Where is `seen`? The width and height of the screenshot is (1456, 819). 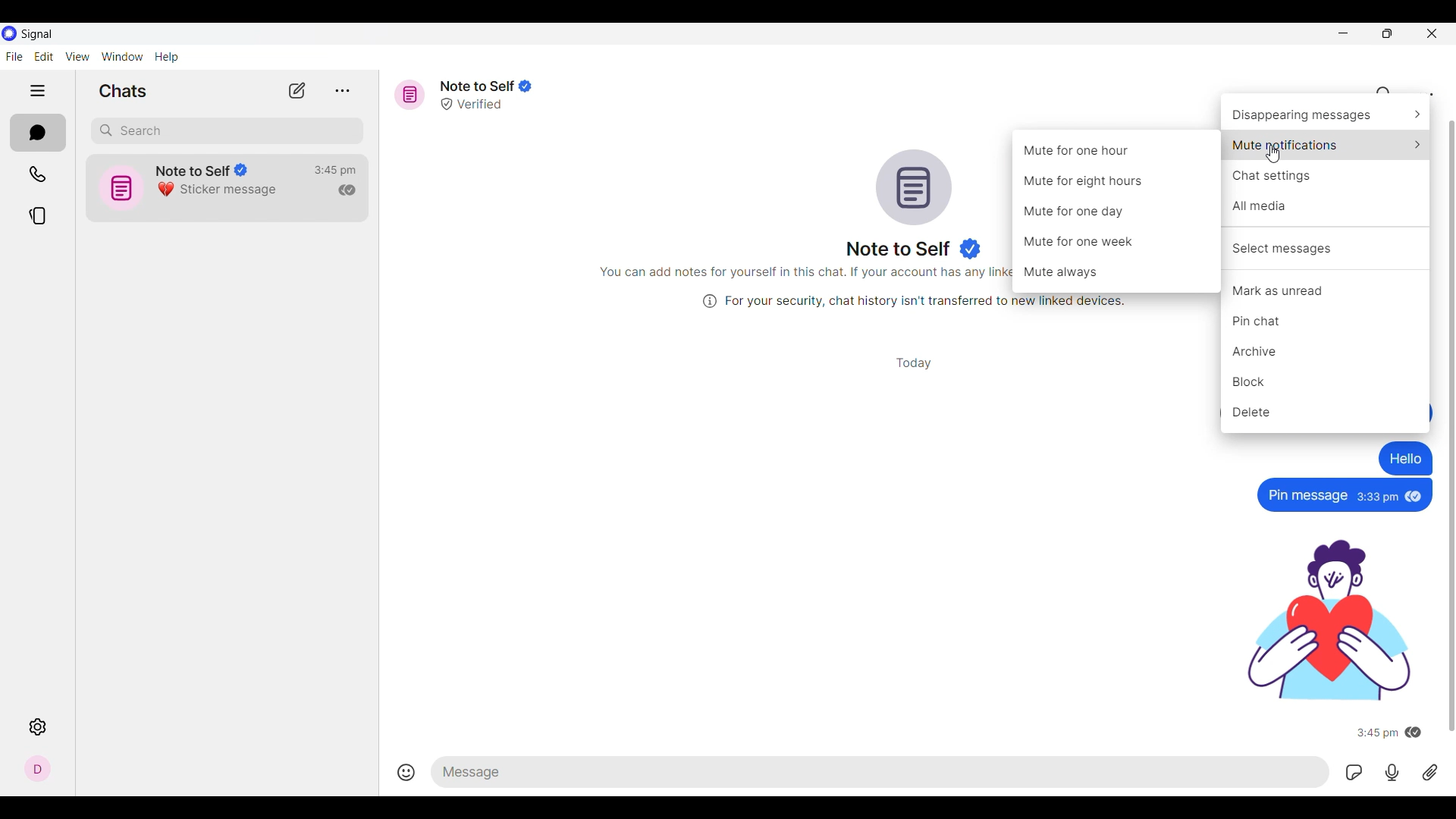
seen is located at coordinates (1415, 495).